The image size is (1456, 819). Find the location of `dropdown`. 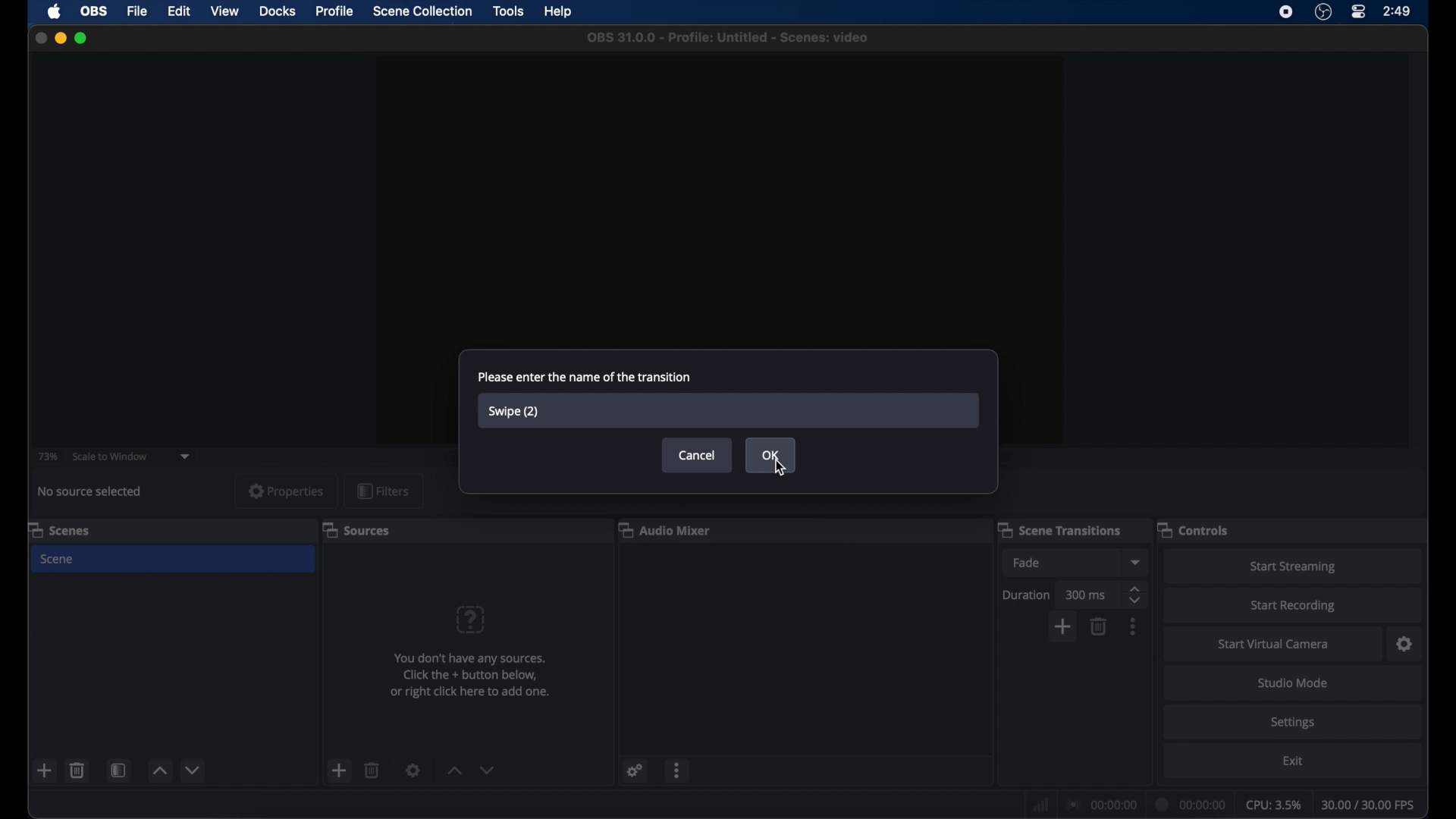

dropdown is located at coordinates (185, 457).